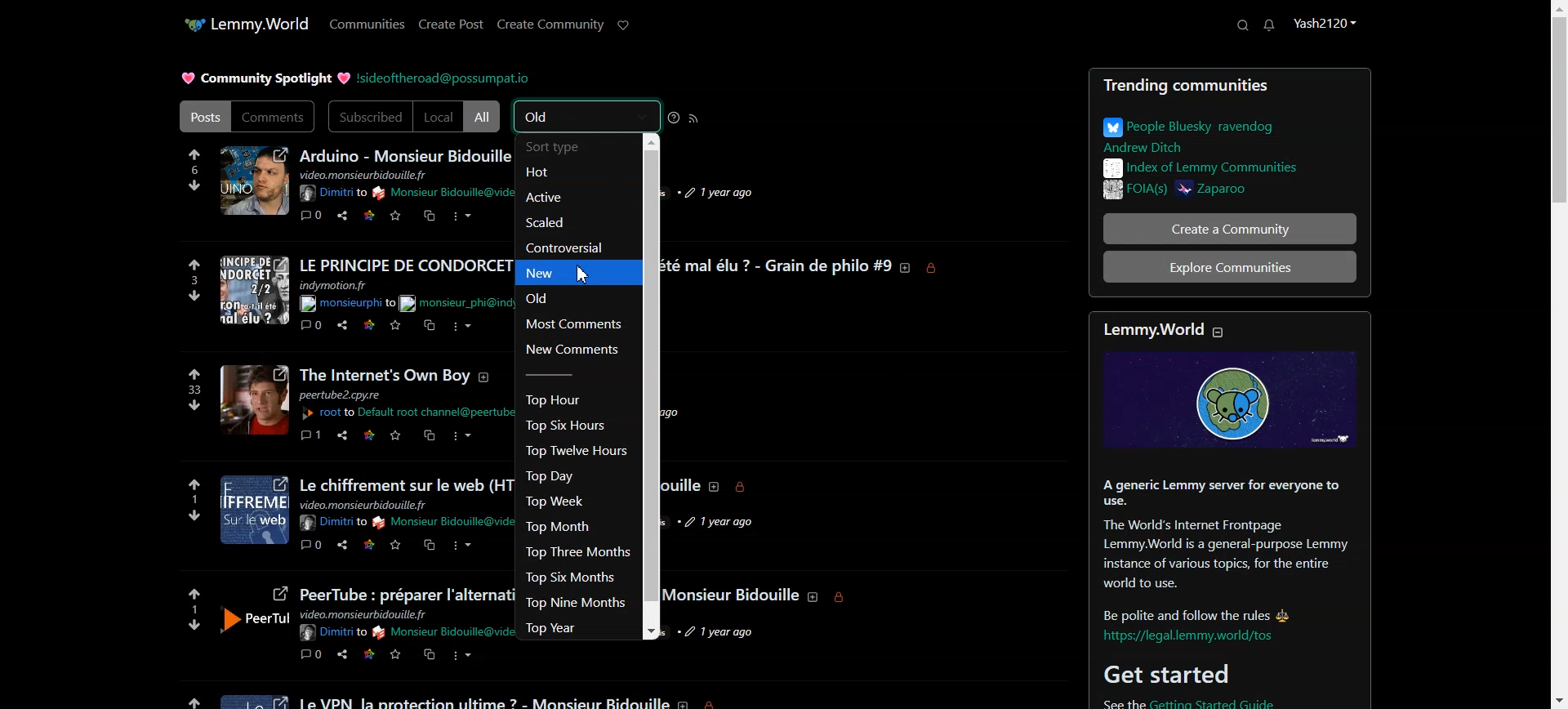 The width and height of the screenshot is (1568, 709). I want to click on Create Post, so click(452, 25).